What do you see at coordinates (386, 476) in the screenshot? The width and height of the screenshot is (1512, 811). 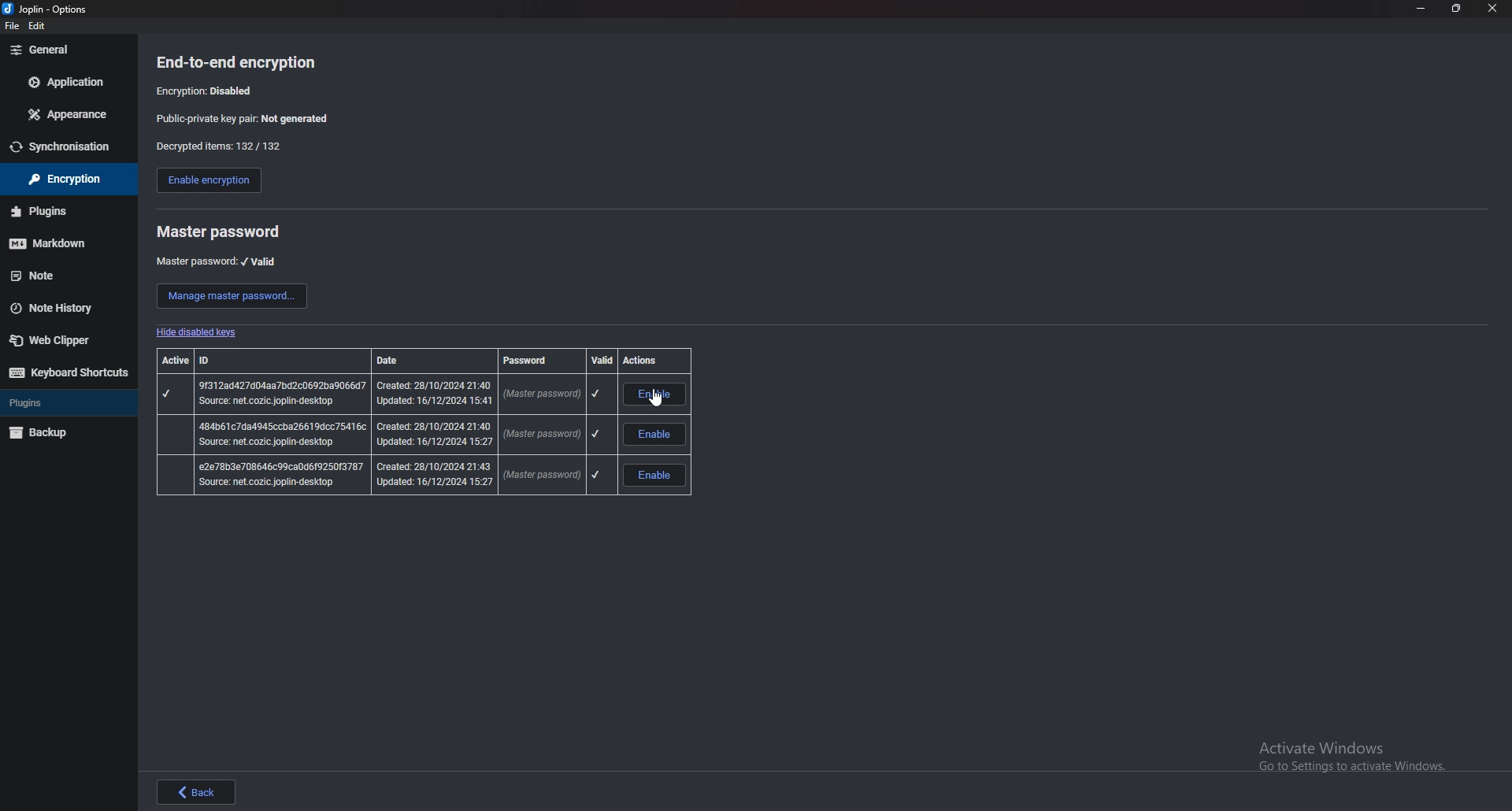 I see `master password` at bounding box center [386, 476].